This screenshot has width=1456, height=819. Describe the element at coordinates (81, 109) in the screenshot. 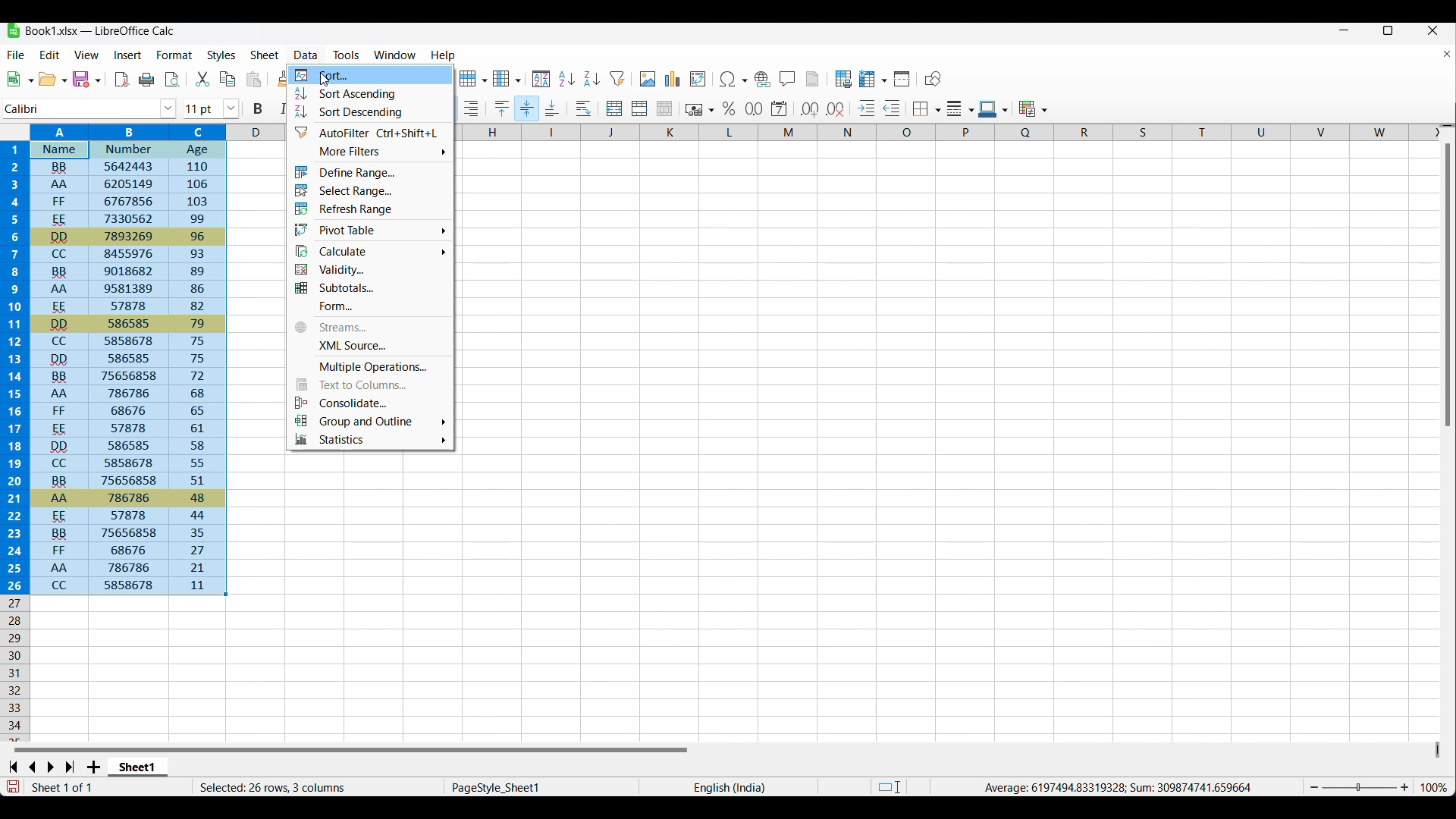

I see `Input font` at that location.